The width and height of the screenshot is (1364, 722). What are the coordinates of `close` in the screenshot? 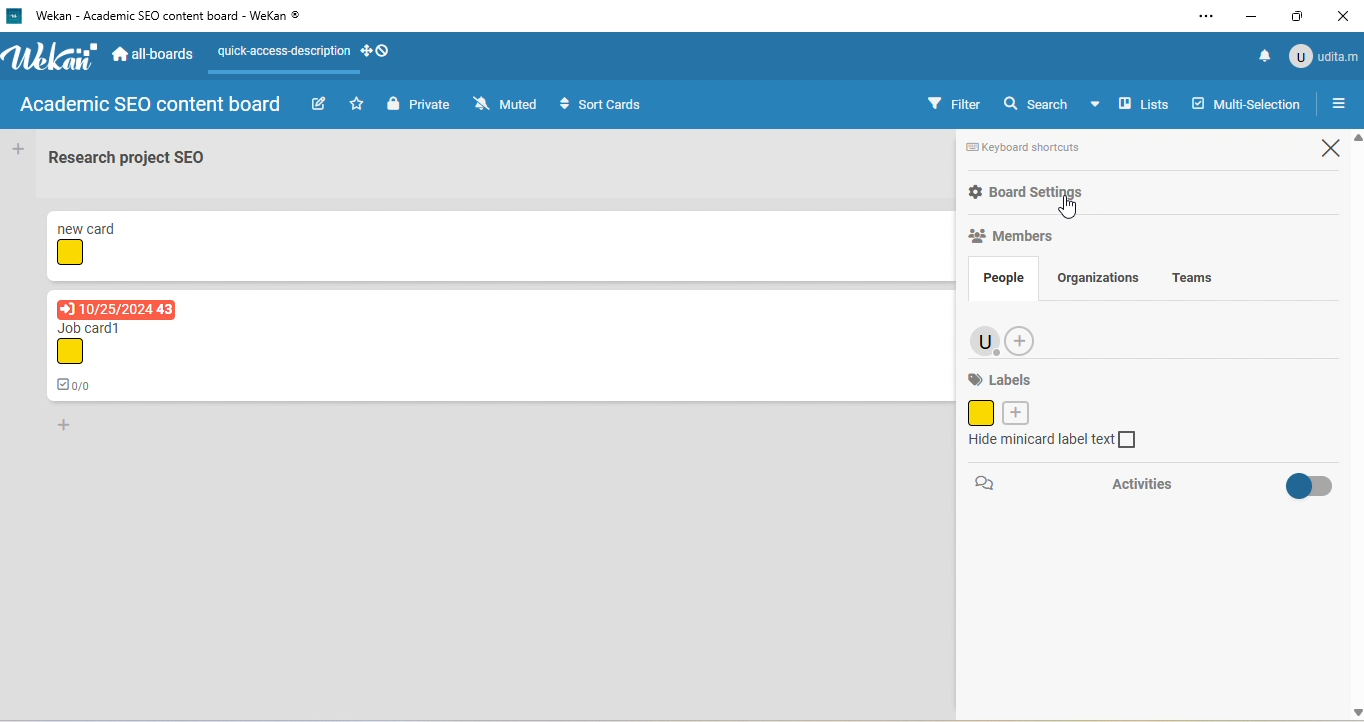 It's located at (1346, 15).